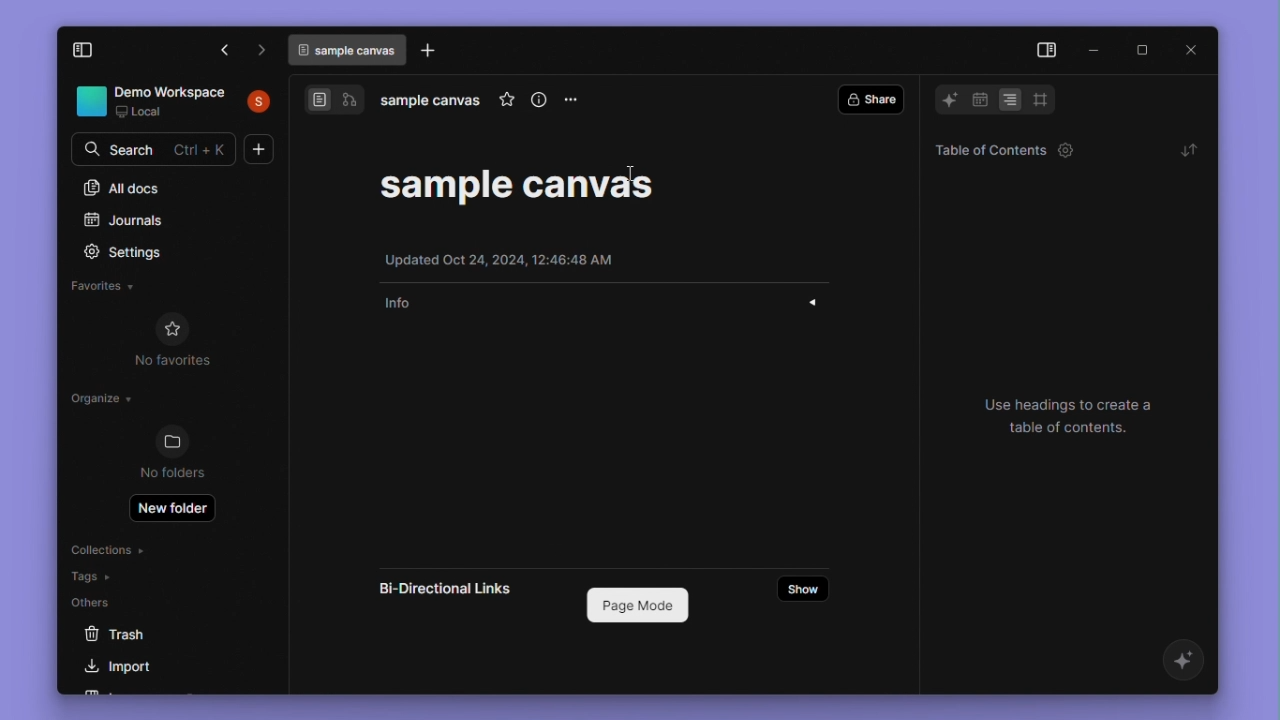 This screenshot has height=720, width=1280. What do you see at coordinates (173, 510) in the screenshot?
I see `New folder` at bounding box center [173, 510].